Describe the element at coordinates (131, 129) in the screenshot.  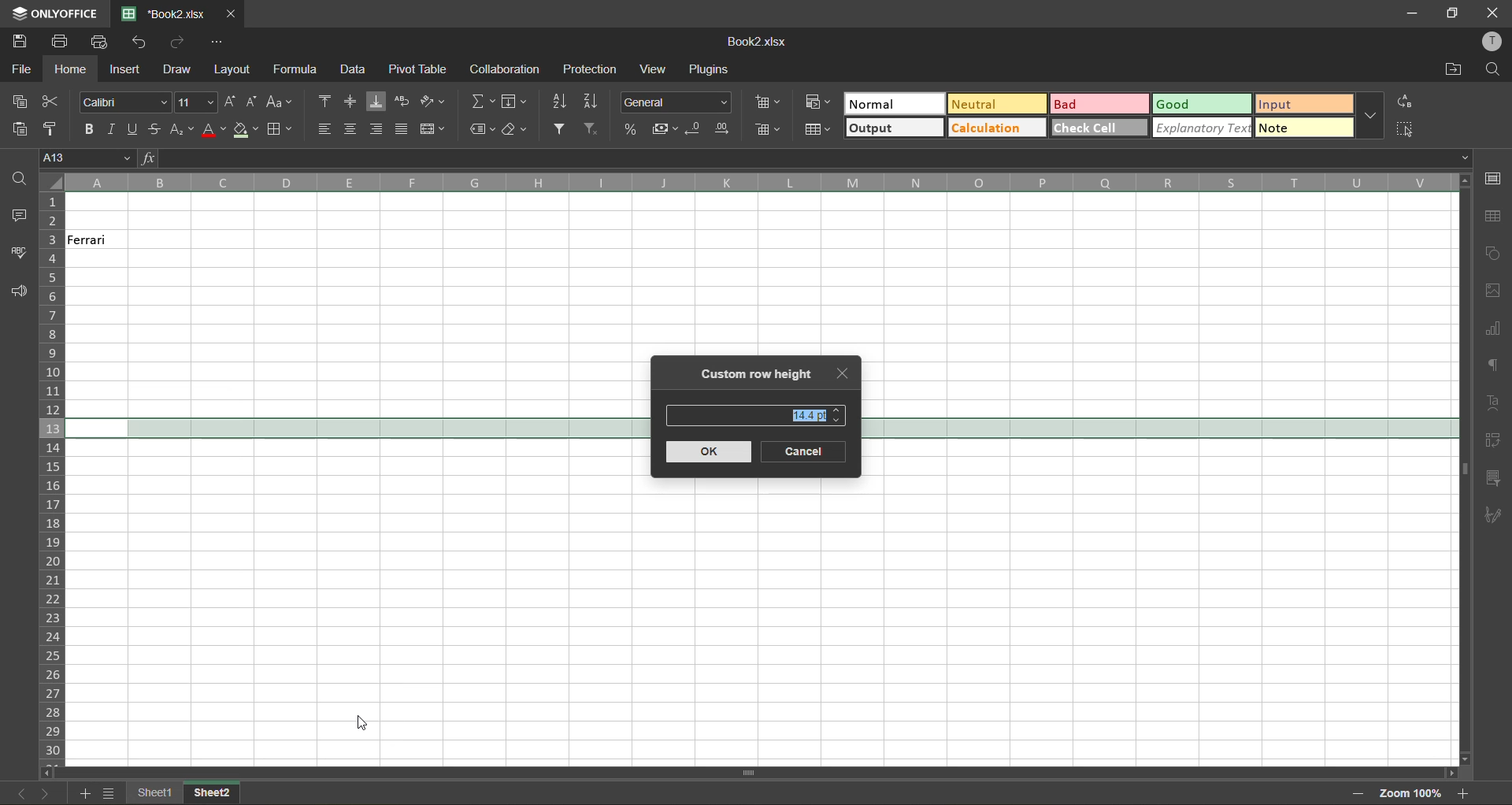
I see `underline` at that location.